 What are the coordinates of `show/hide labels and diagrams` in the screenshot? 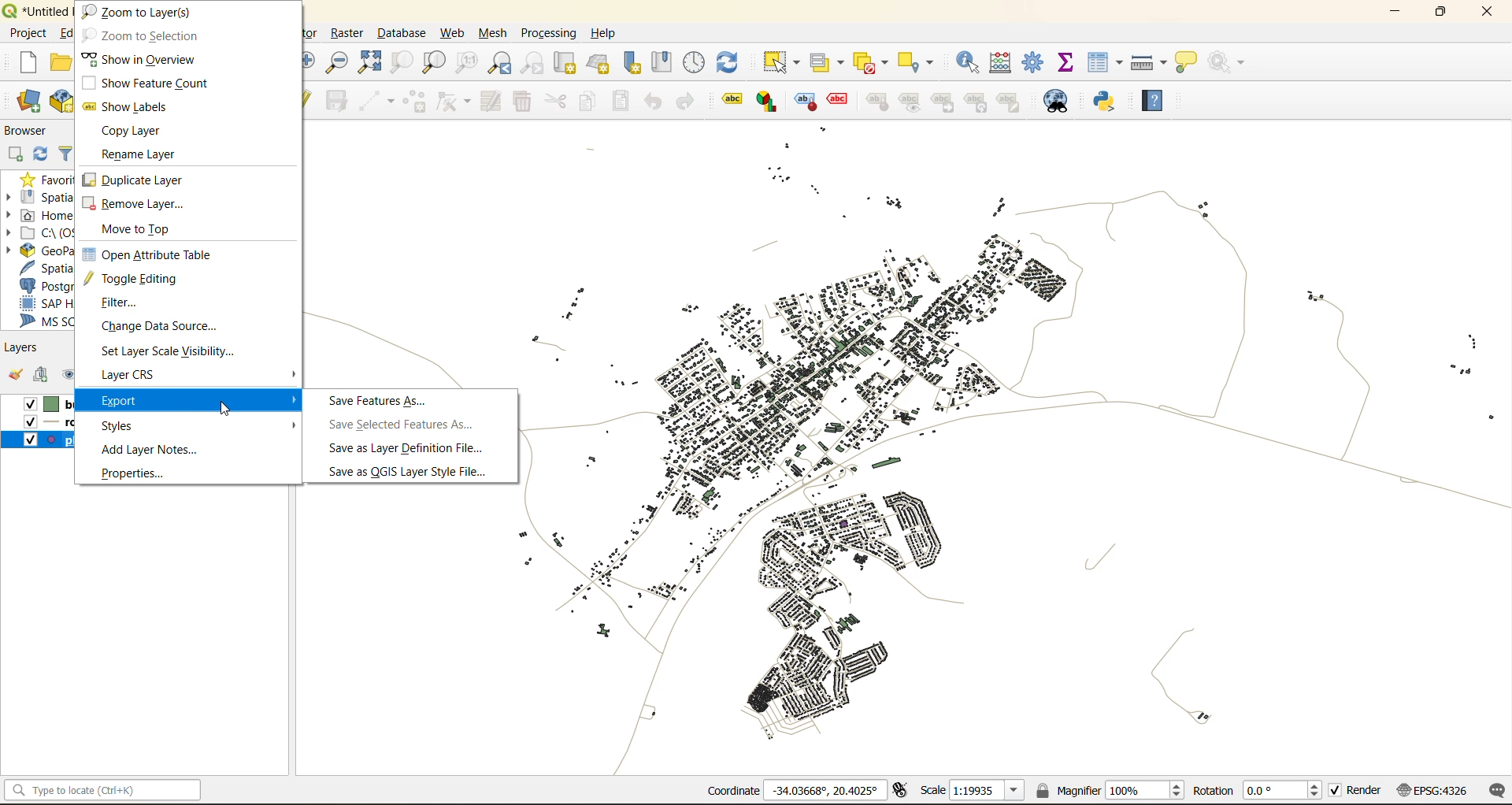 It's located at (913, 102).